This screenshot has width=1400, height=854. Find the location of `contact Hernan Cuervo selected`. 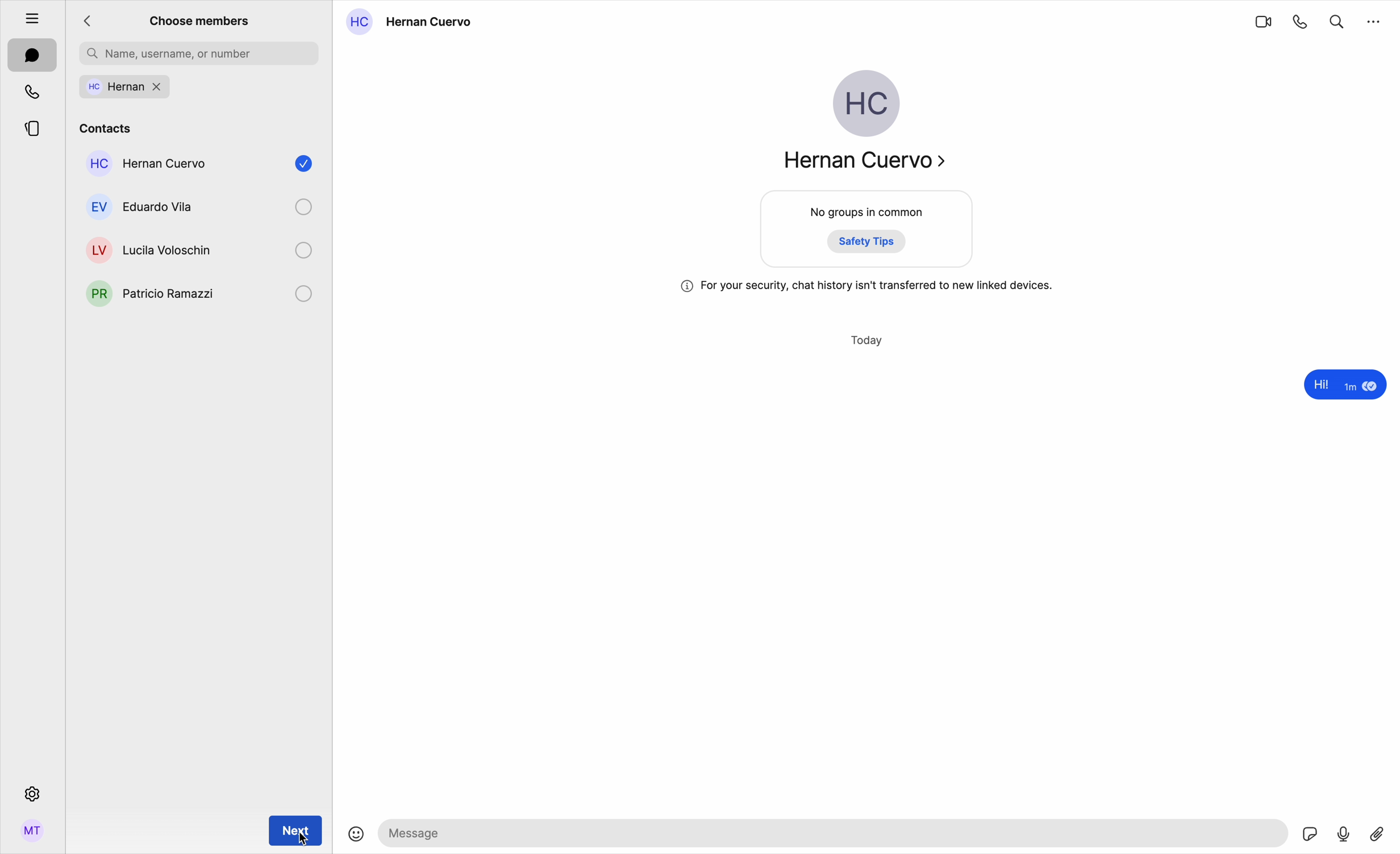

contact Hernan Cuervo selected is located at coordinates (196, 168).